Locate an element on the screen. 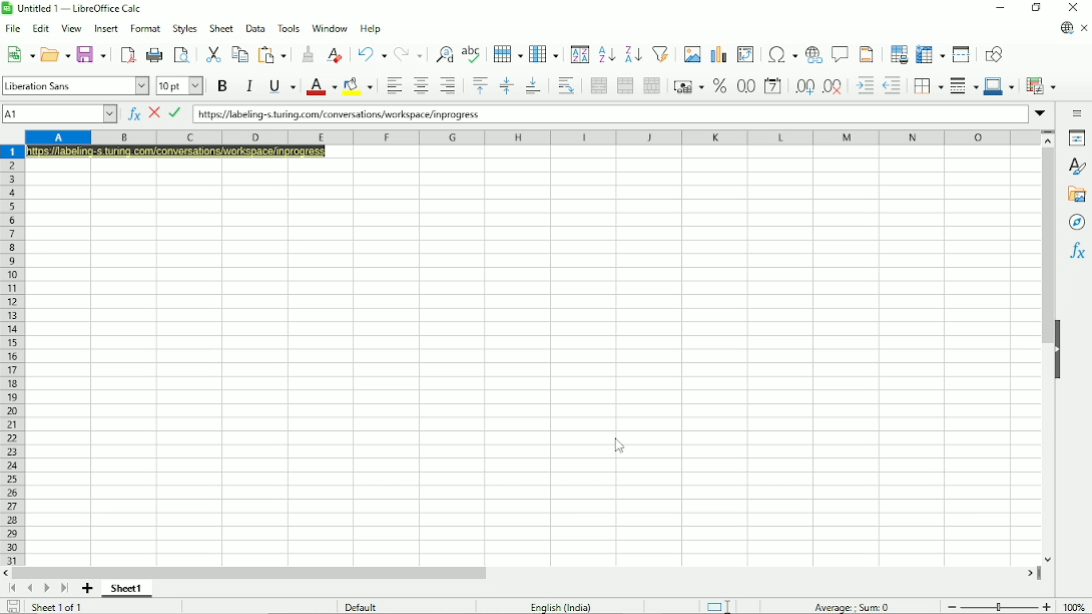 Image resolution: width=1092 pixels, height=614 pixels. English (India) is located at coordinates (559, 605).